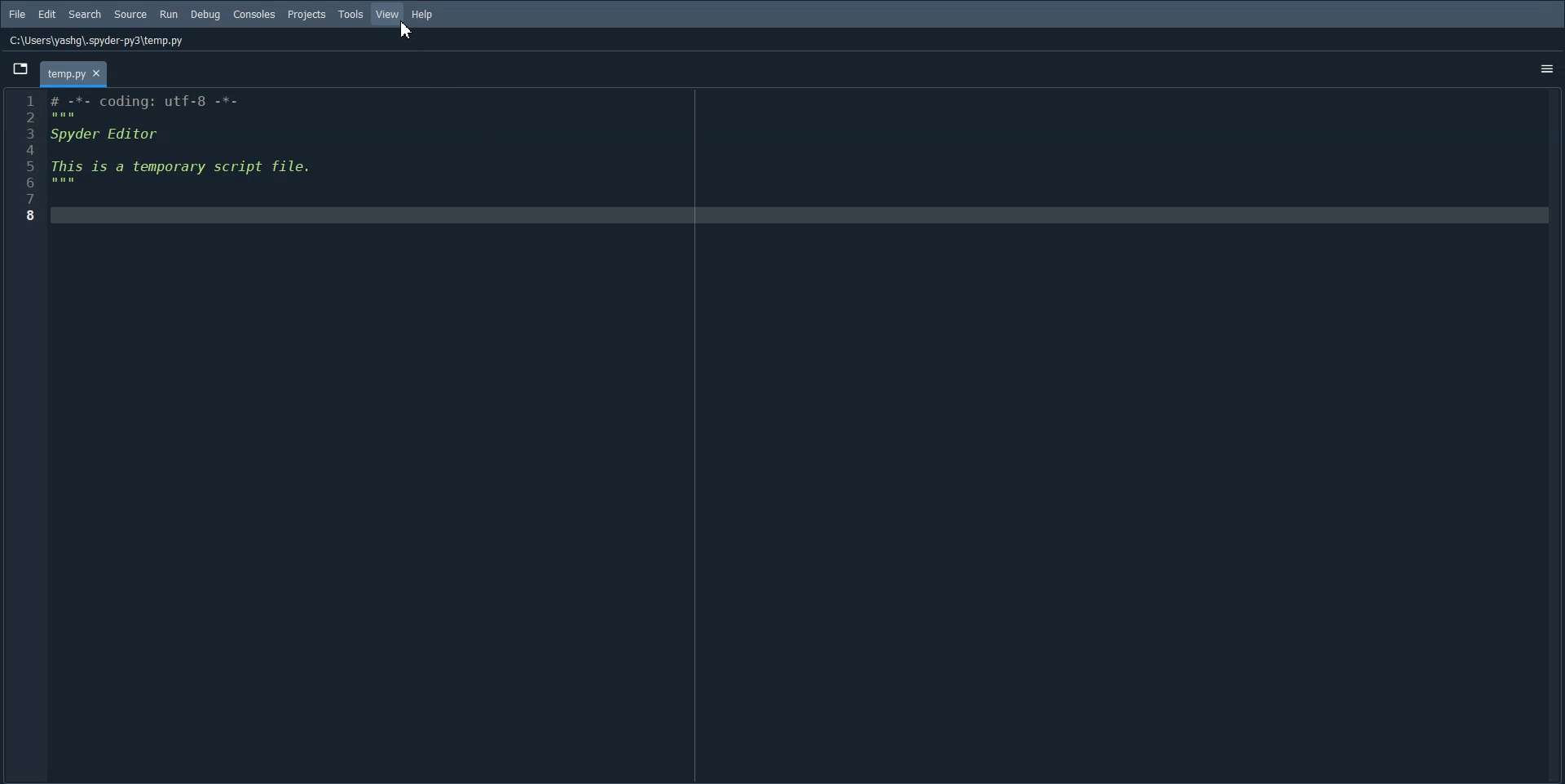  Describe the element at coordinates (183, 144) in the screenshot. I see `Initial code block` at that location.